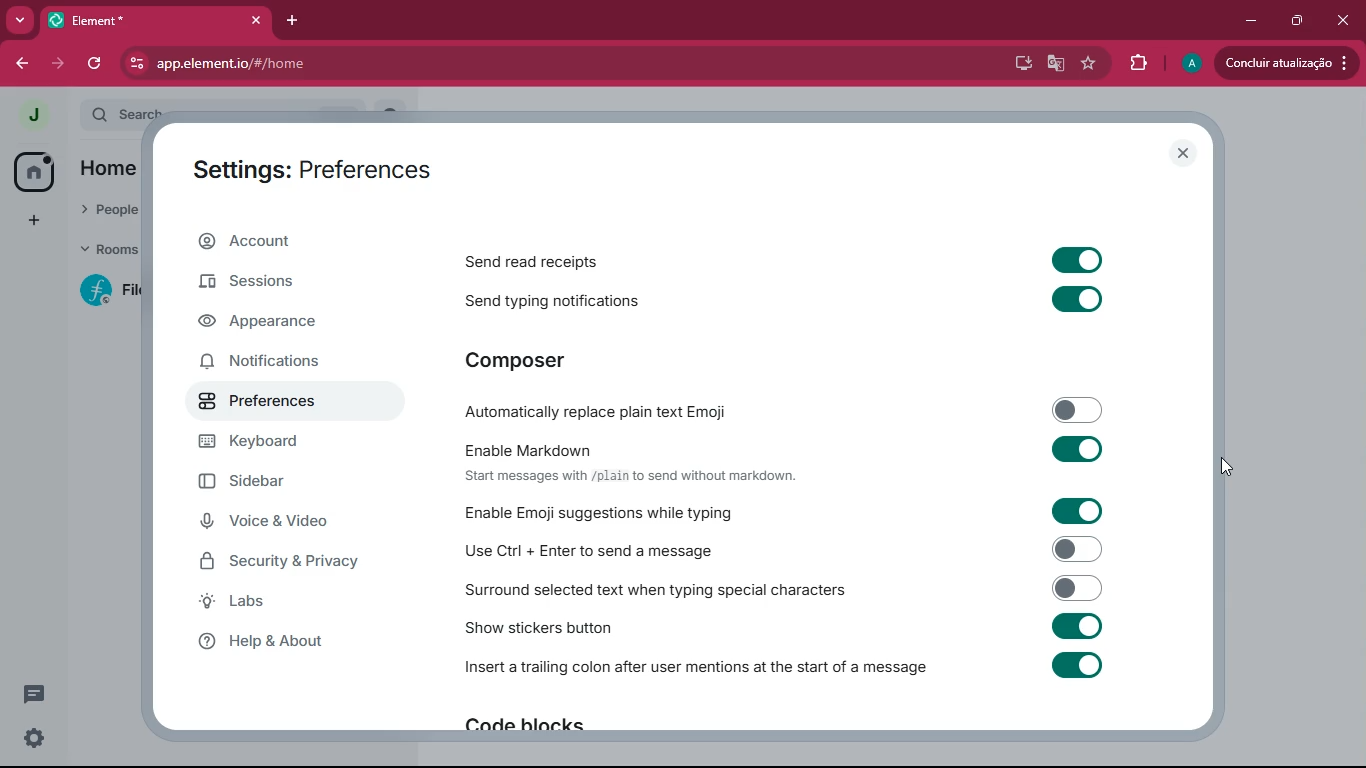 This screenshot has height=768, width=1366. What do you see at coordinates (1182, 155) in the screenshot?
I see `close` at bounding box center [1182, 155].